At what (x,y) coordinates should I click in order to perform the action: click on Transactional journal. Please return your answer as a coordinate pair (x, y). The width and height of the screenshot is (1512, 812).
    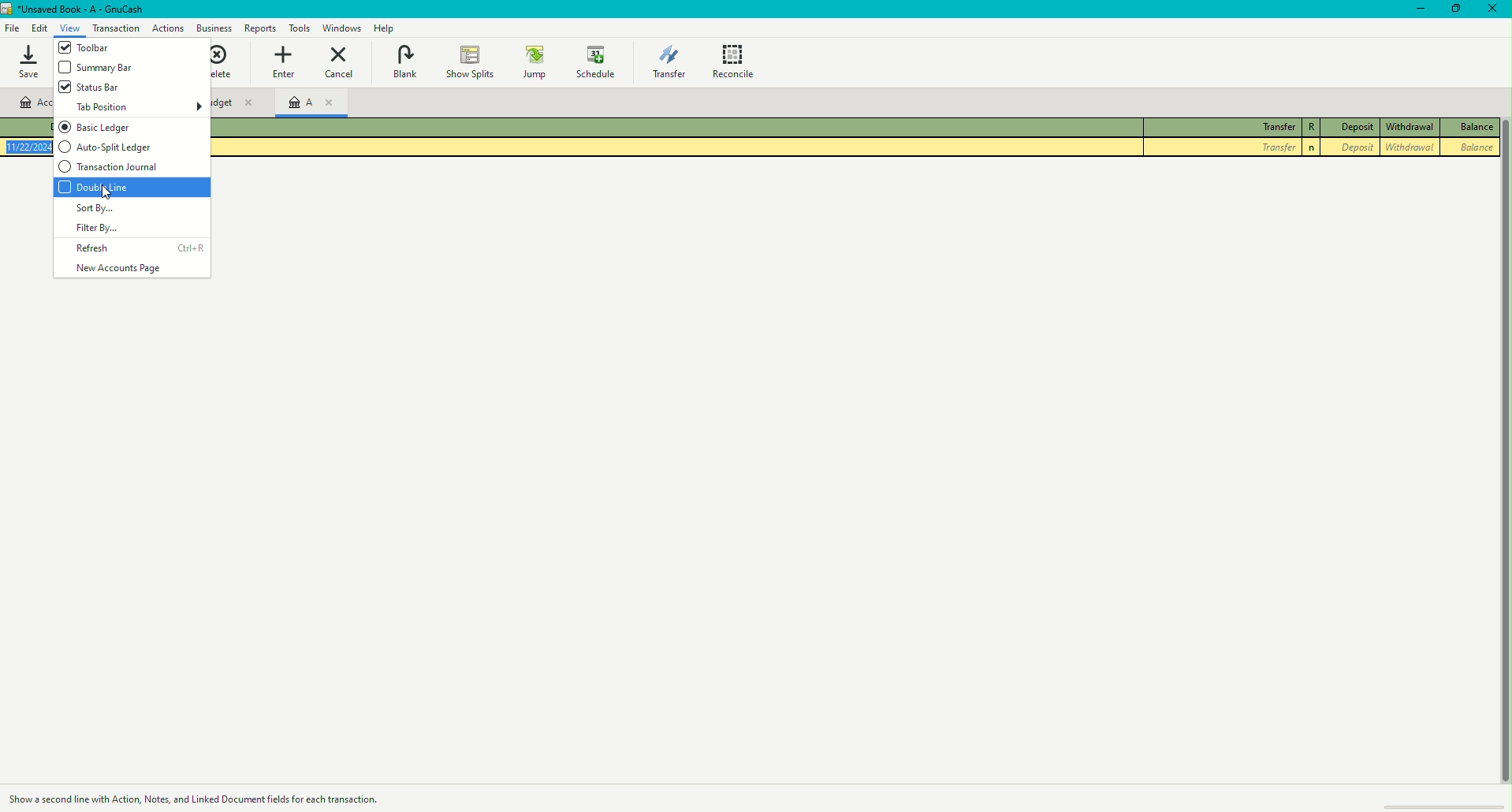
    Looking at the image, I should click on (111, 167).